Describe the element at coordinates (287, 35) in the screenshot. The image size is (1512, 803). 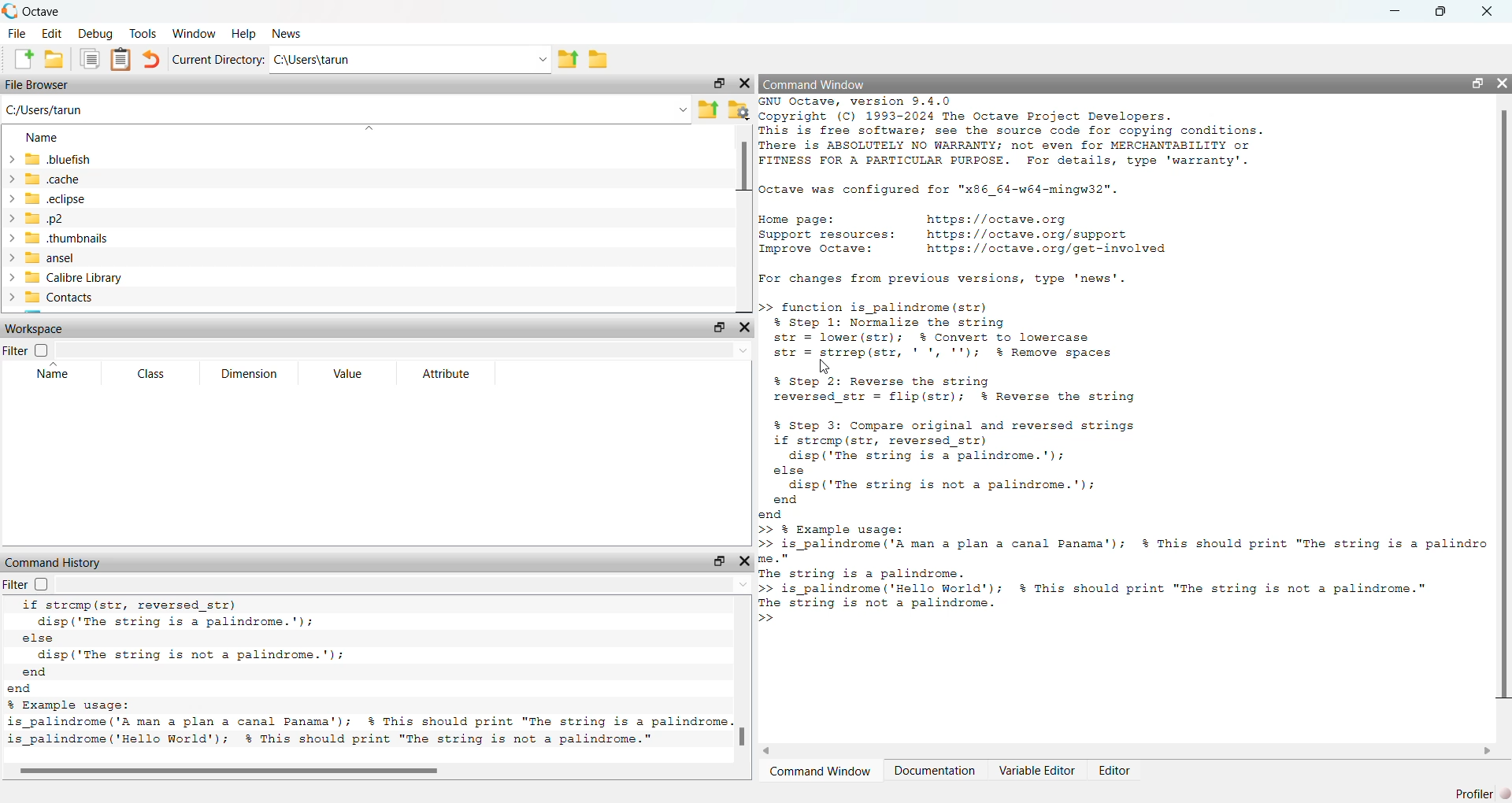
I see `news` at that location.